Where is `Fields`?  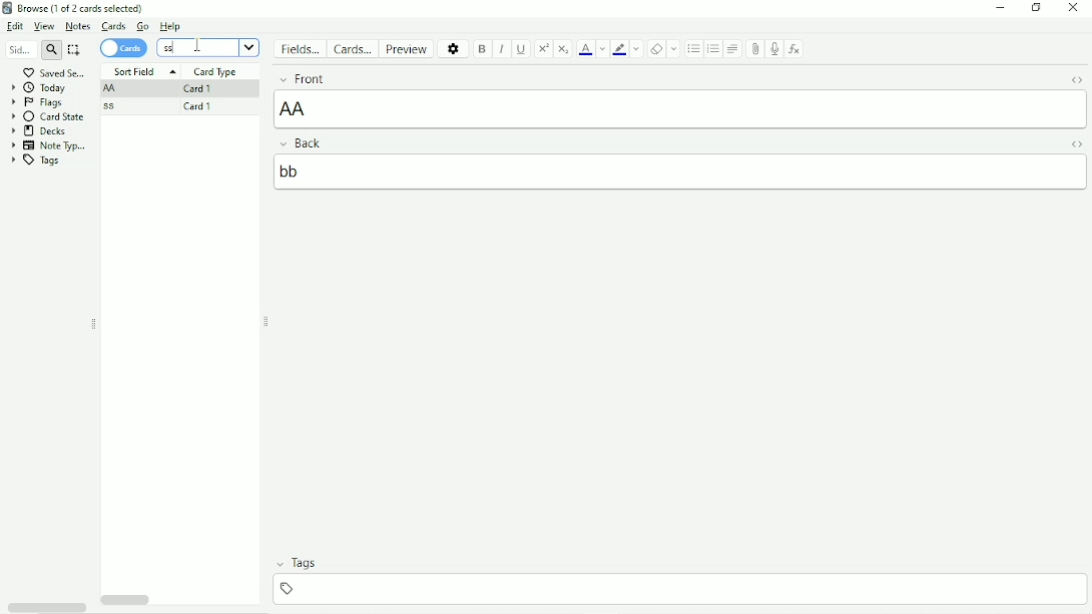 Fields is located at coordinates (302, 49).